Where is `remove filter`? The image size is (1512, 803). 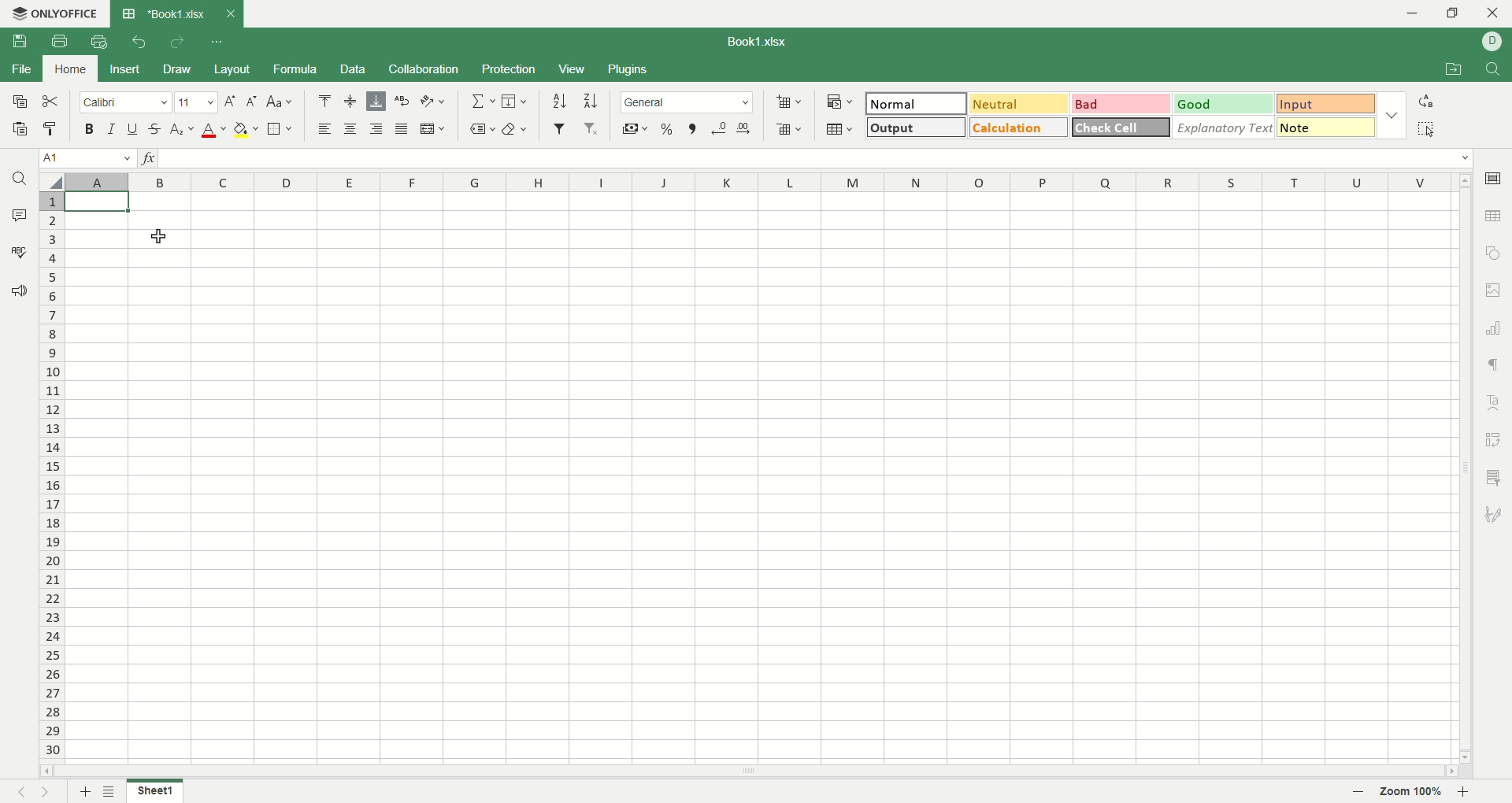
remove filter is located at coordinates (592, 128).